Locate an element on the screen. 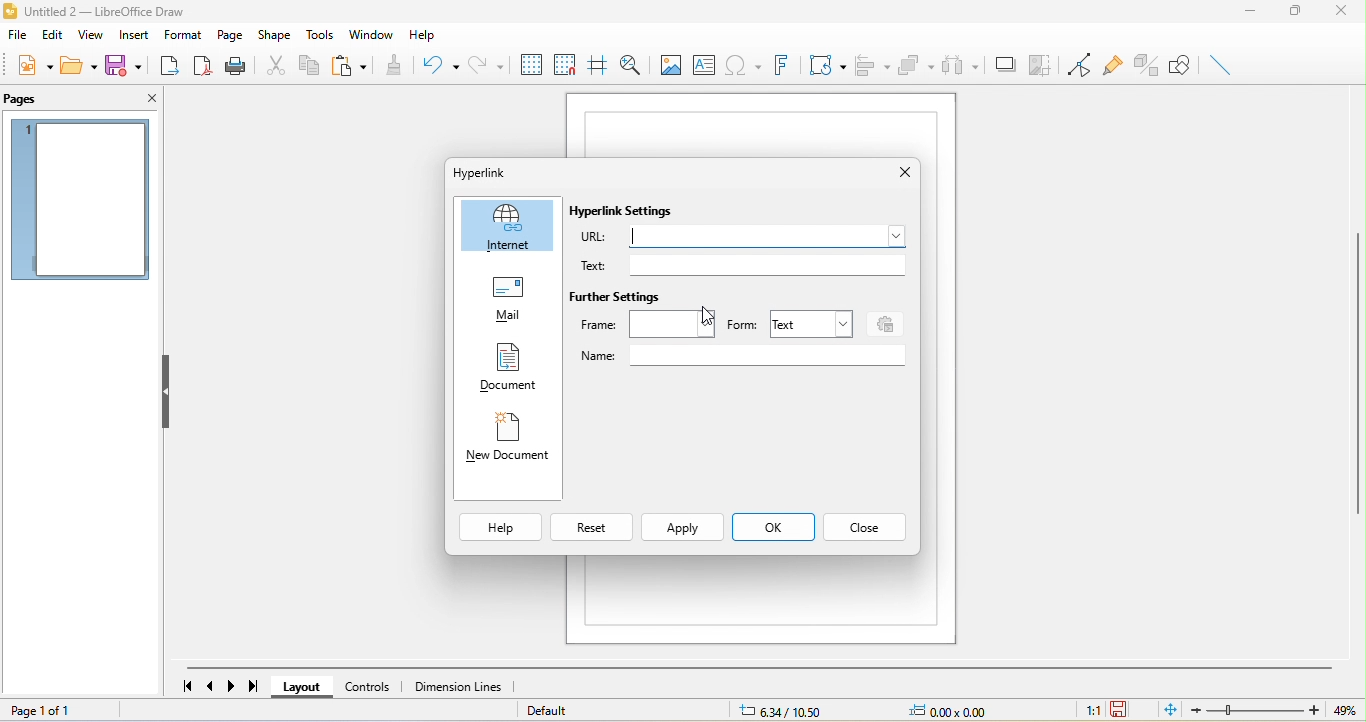 Image resolution: width=1366 pixels, height=722 pixels. show draw function is located at coordinates (1181, 62).